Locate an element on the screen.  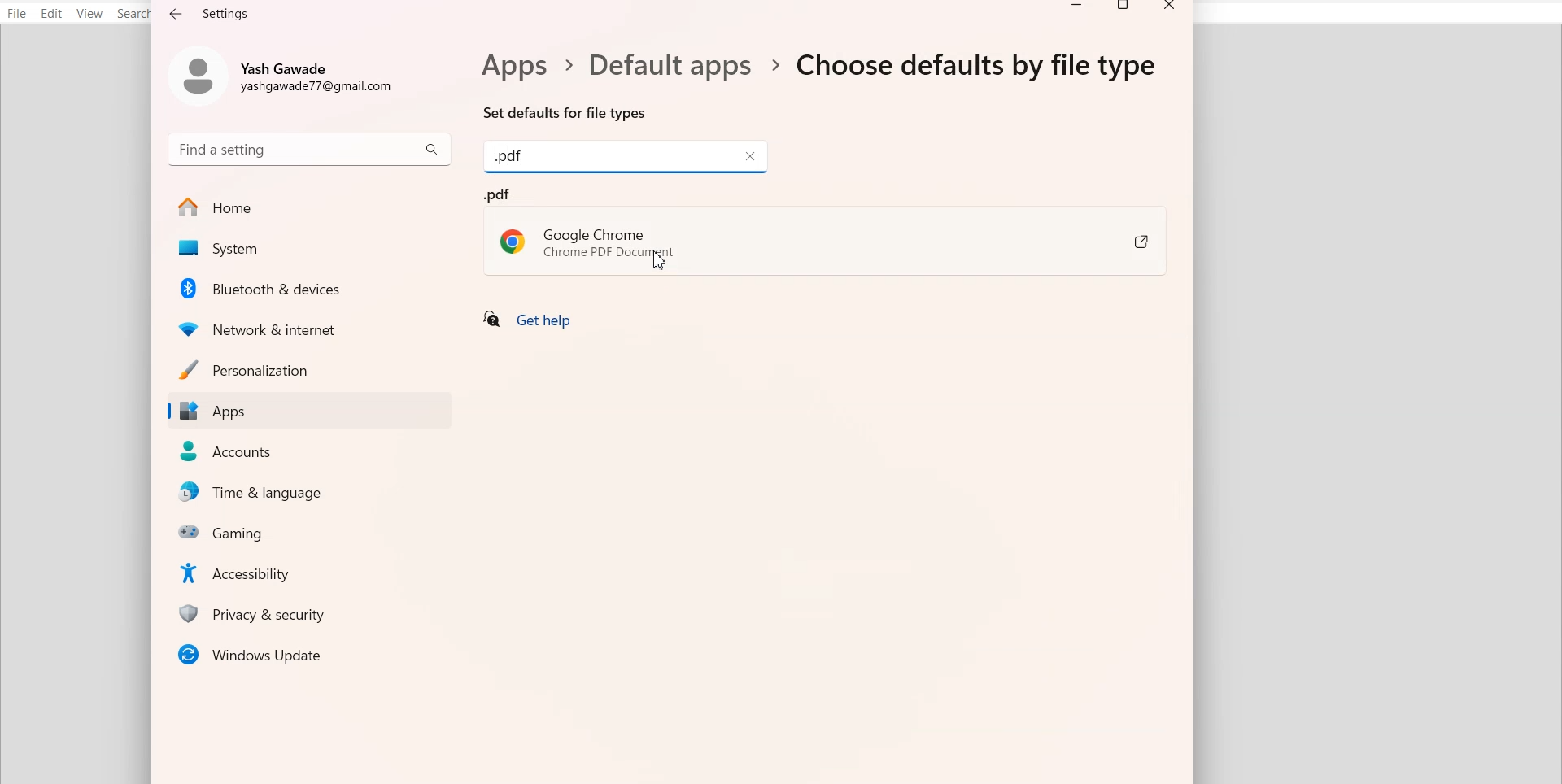
Window Updates is located at coordinates (308, 654).